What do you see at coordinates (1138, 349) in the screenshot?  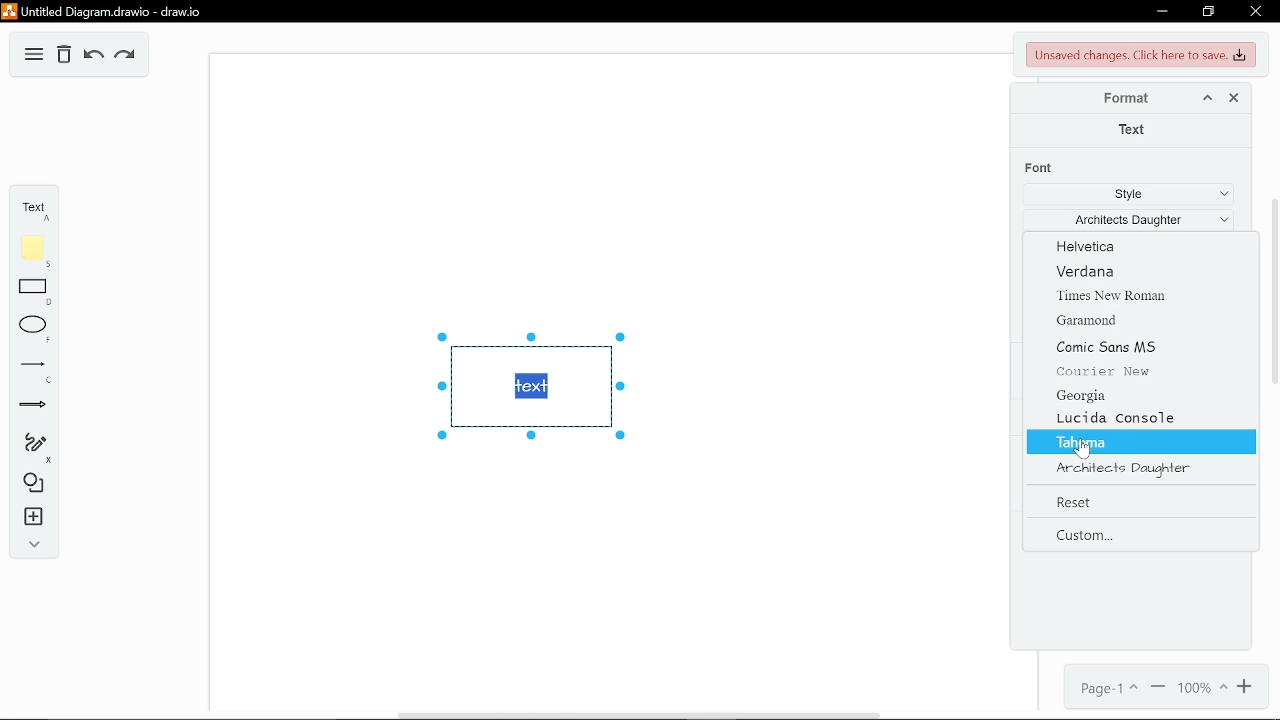 I see `comic sons MS` at bounding box center [1138, 349].